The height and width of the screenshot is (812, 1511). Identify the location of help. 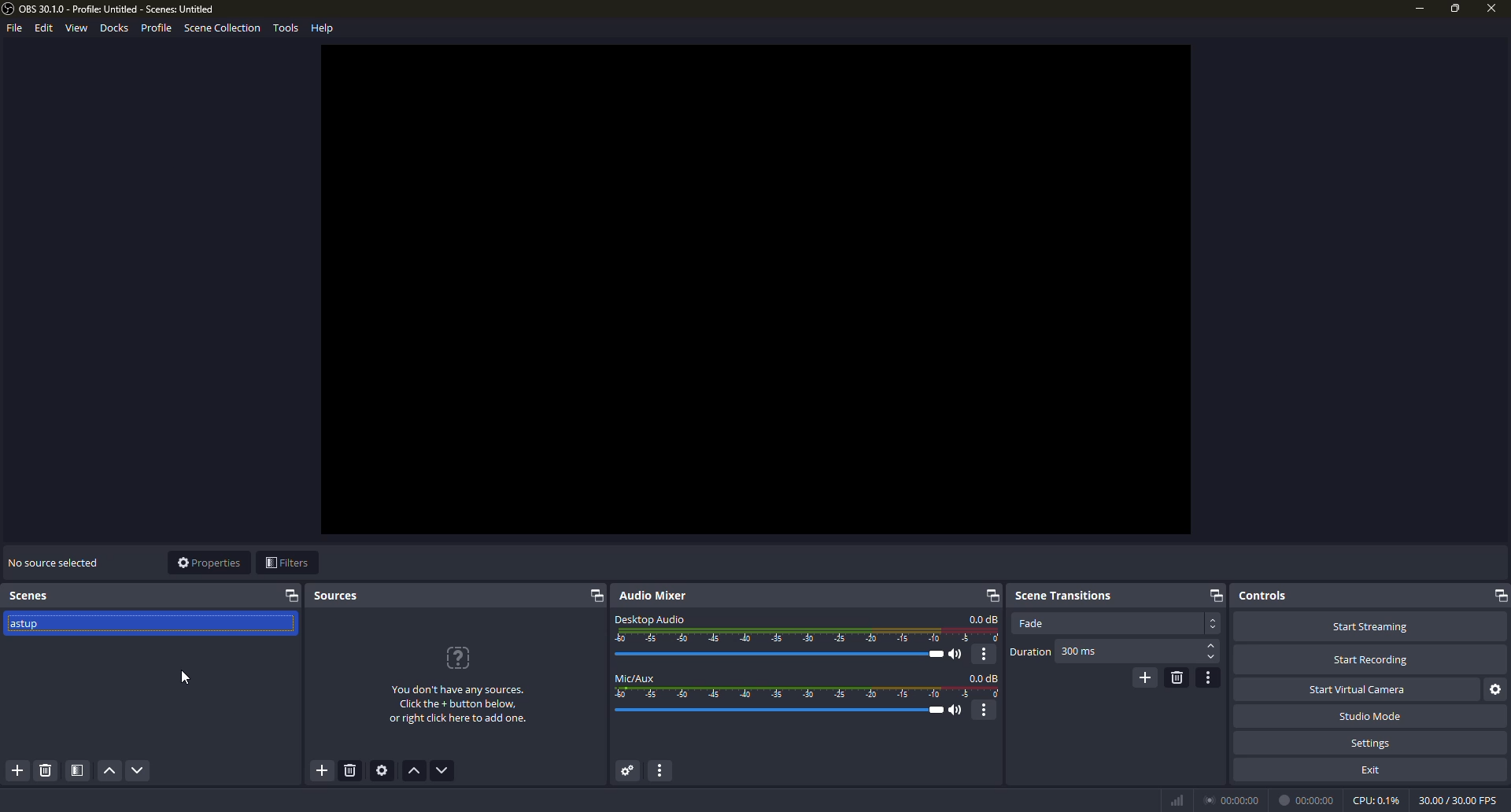
(324, 27).